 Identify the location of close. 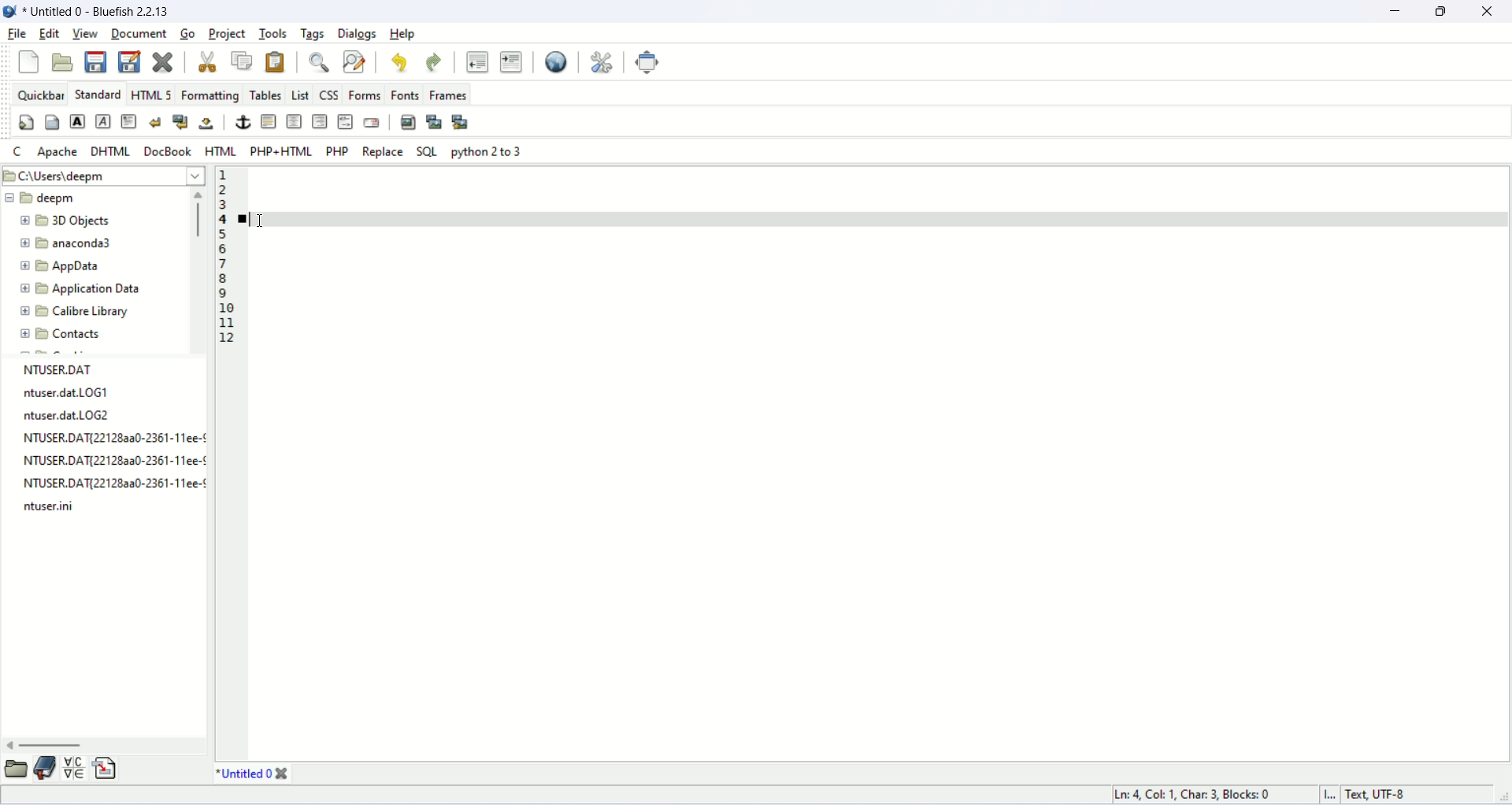
(1488, 14).